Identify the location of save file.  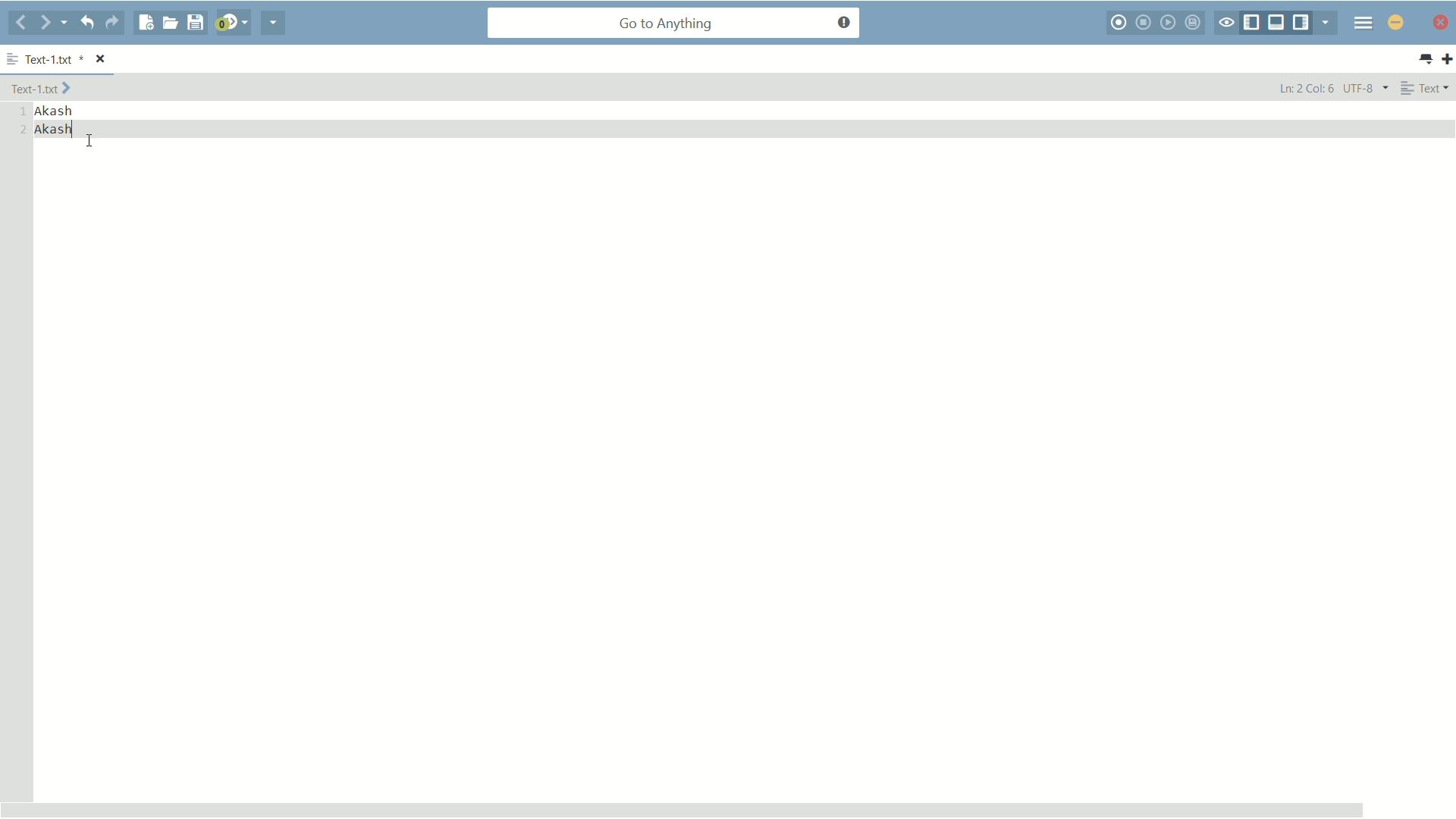
(196, 23).